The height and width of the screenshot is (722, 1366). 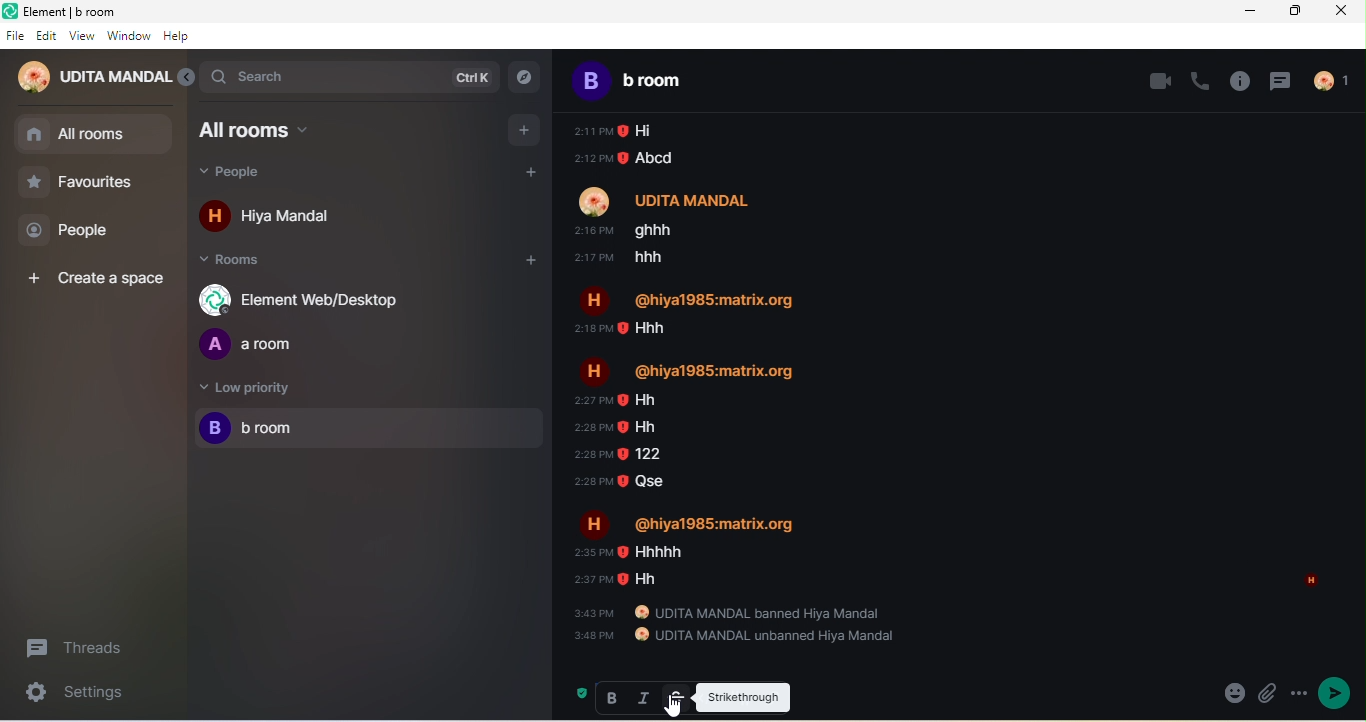 I want to click on more options, so click(x=1299, y=692).